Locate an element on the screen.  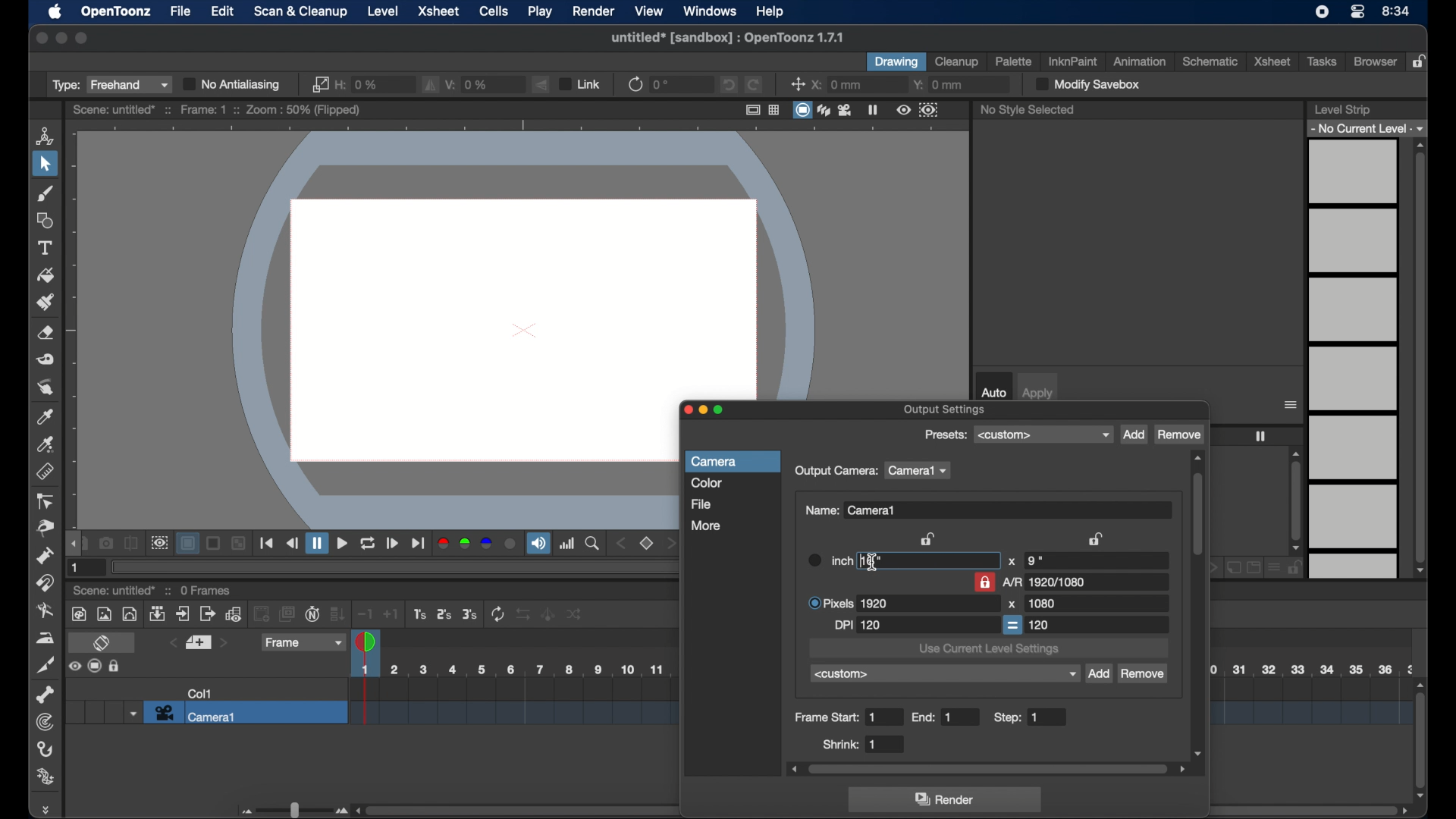
preview is located at coordinates (918, 110).